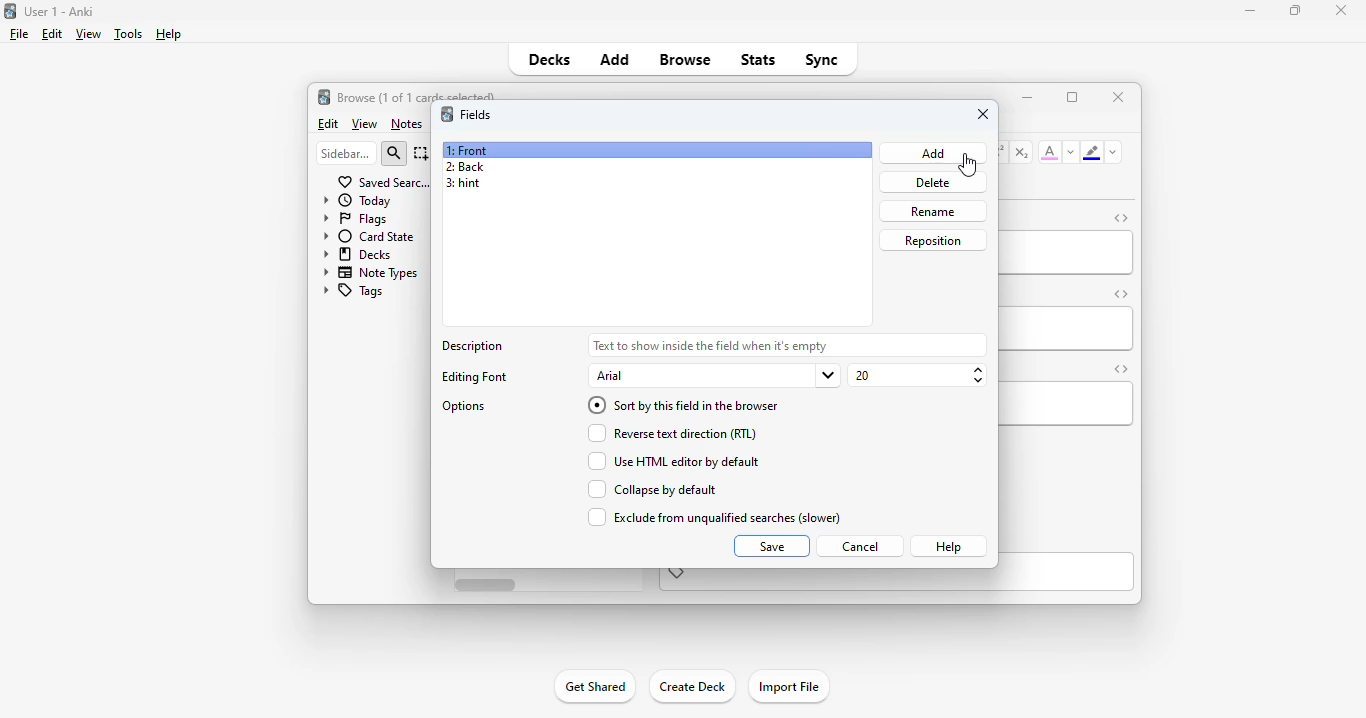 Image resolution: width=1366 pixels, height=718 pixels. Describe the element at coordinates (352, 292) in the screenshot. I see `tags` at that location.